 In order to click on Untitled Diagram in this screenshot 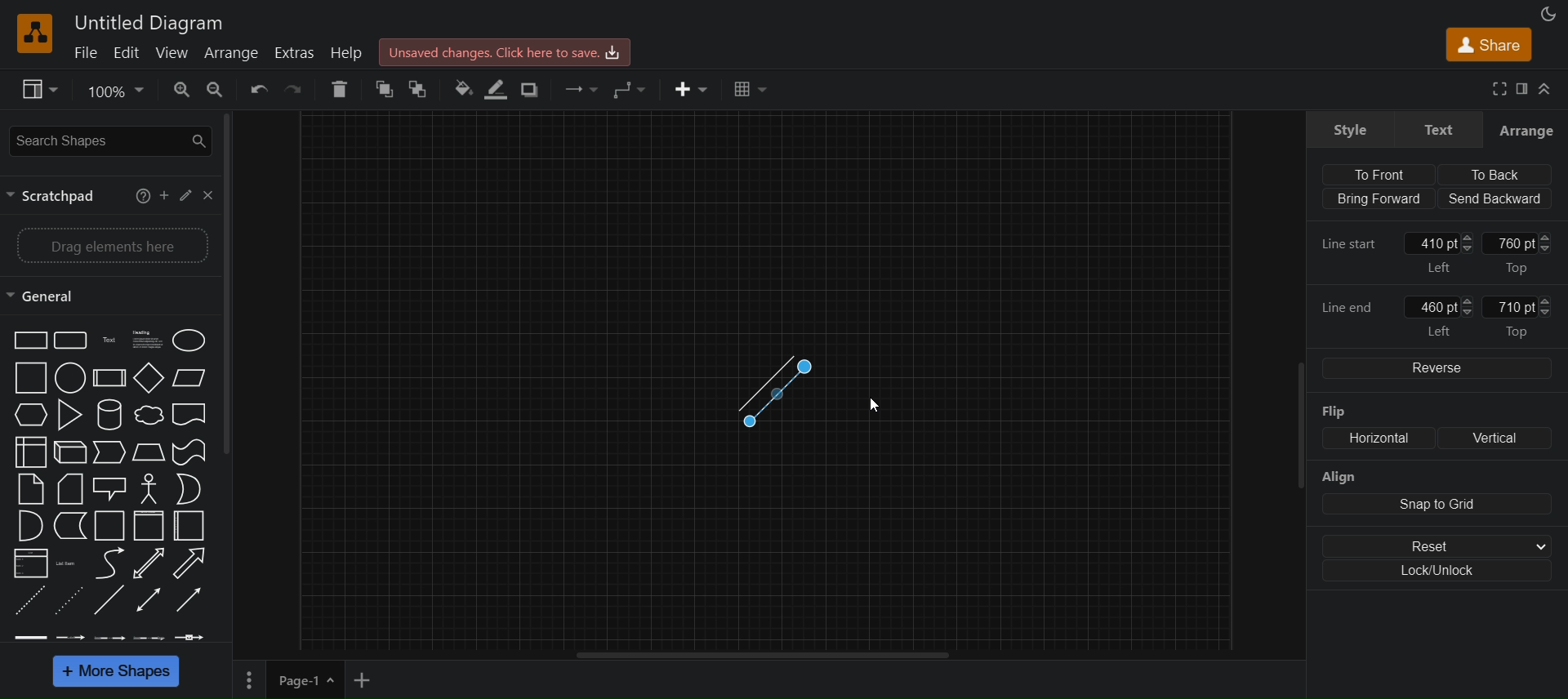, I will do `click(149, 23)`.